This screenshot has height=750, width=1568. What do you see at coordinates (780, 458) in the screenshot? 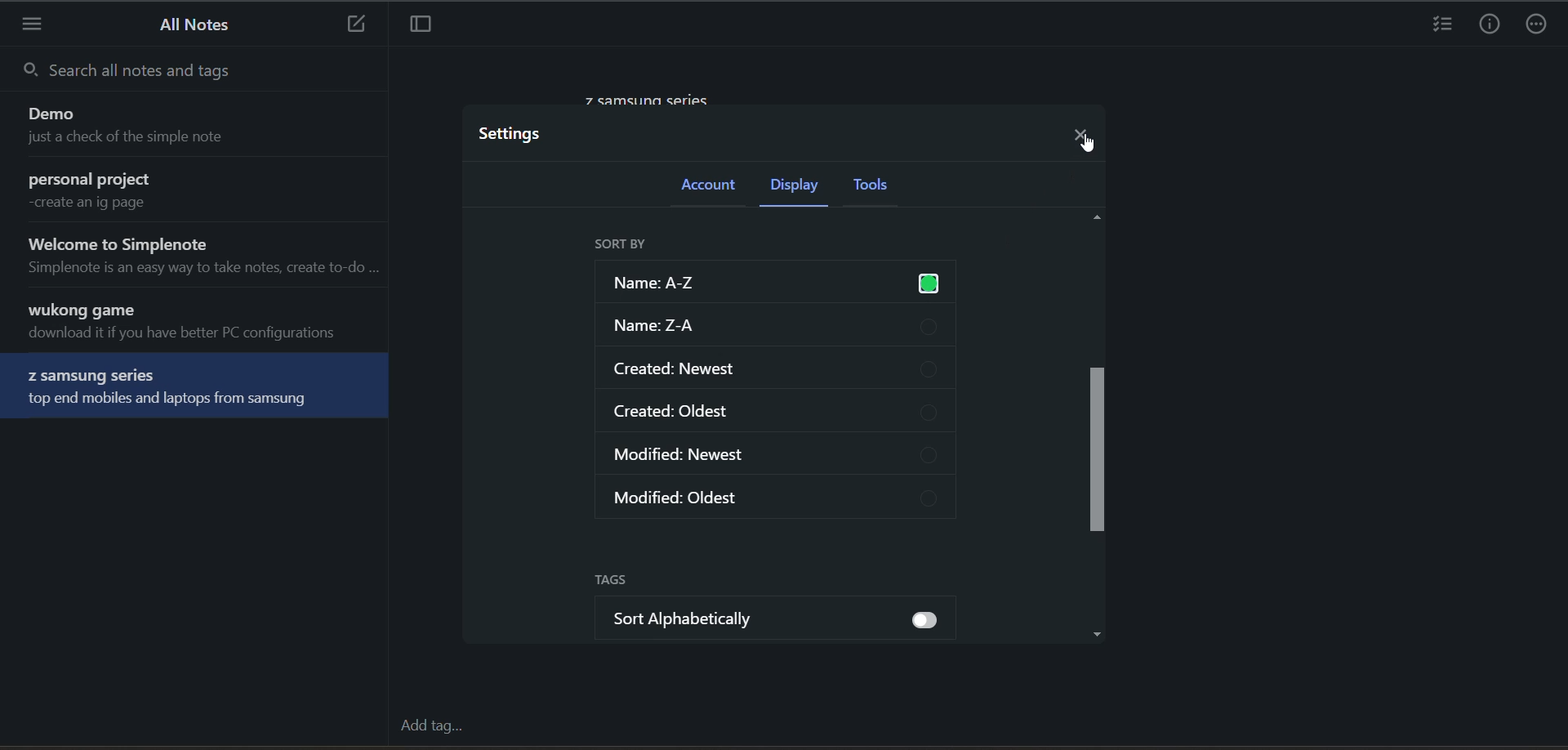
I see `modified: newest` at bounding box center [780, 458].